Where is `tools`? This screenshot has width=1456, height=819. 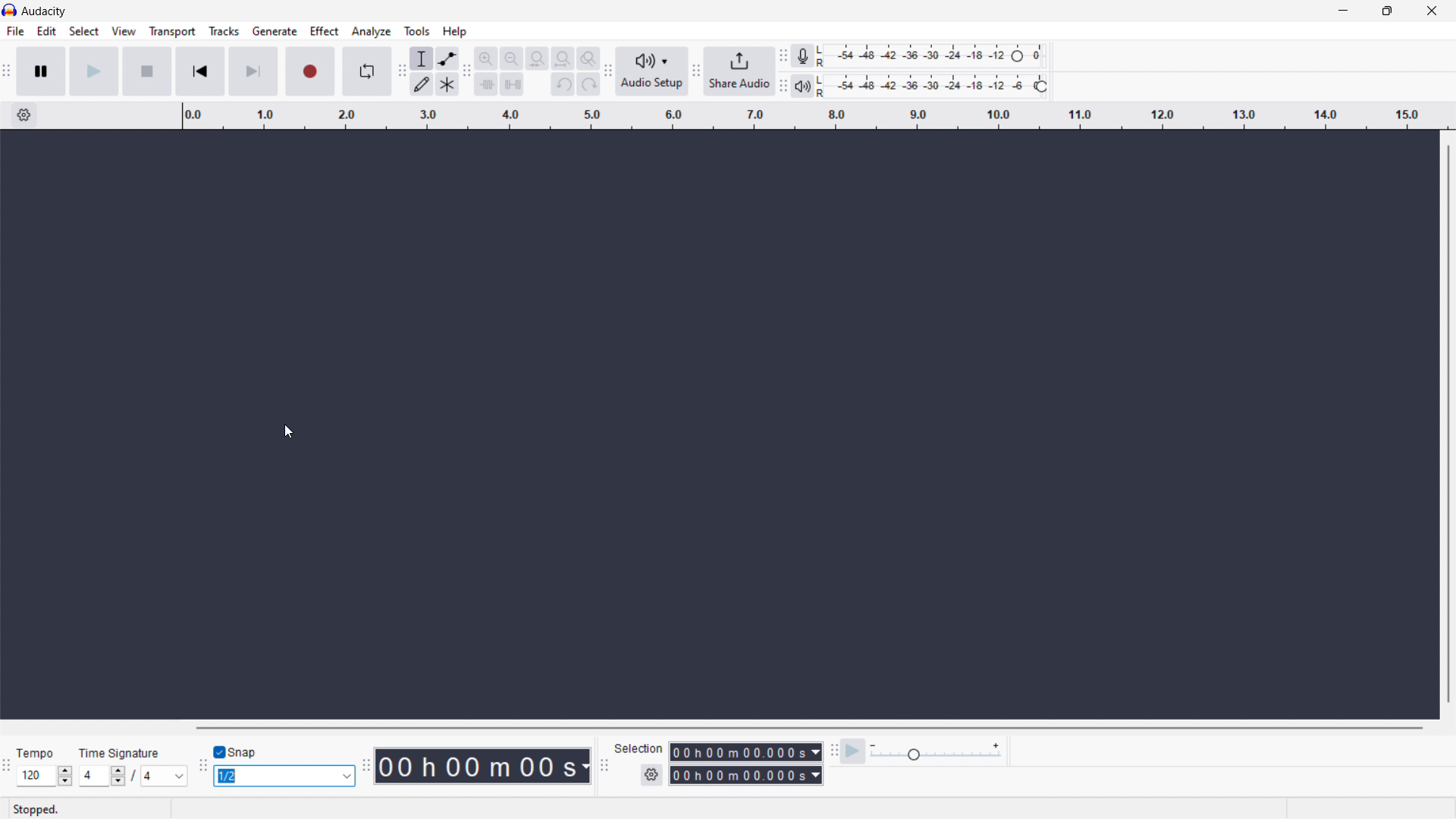 tools is located at coordinates (417, 30).